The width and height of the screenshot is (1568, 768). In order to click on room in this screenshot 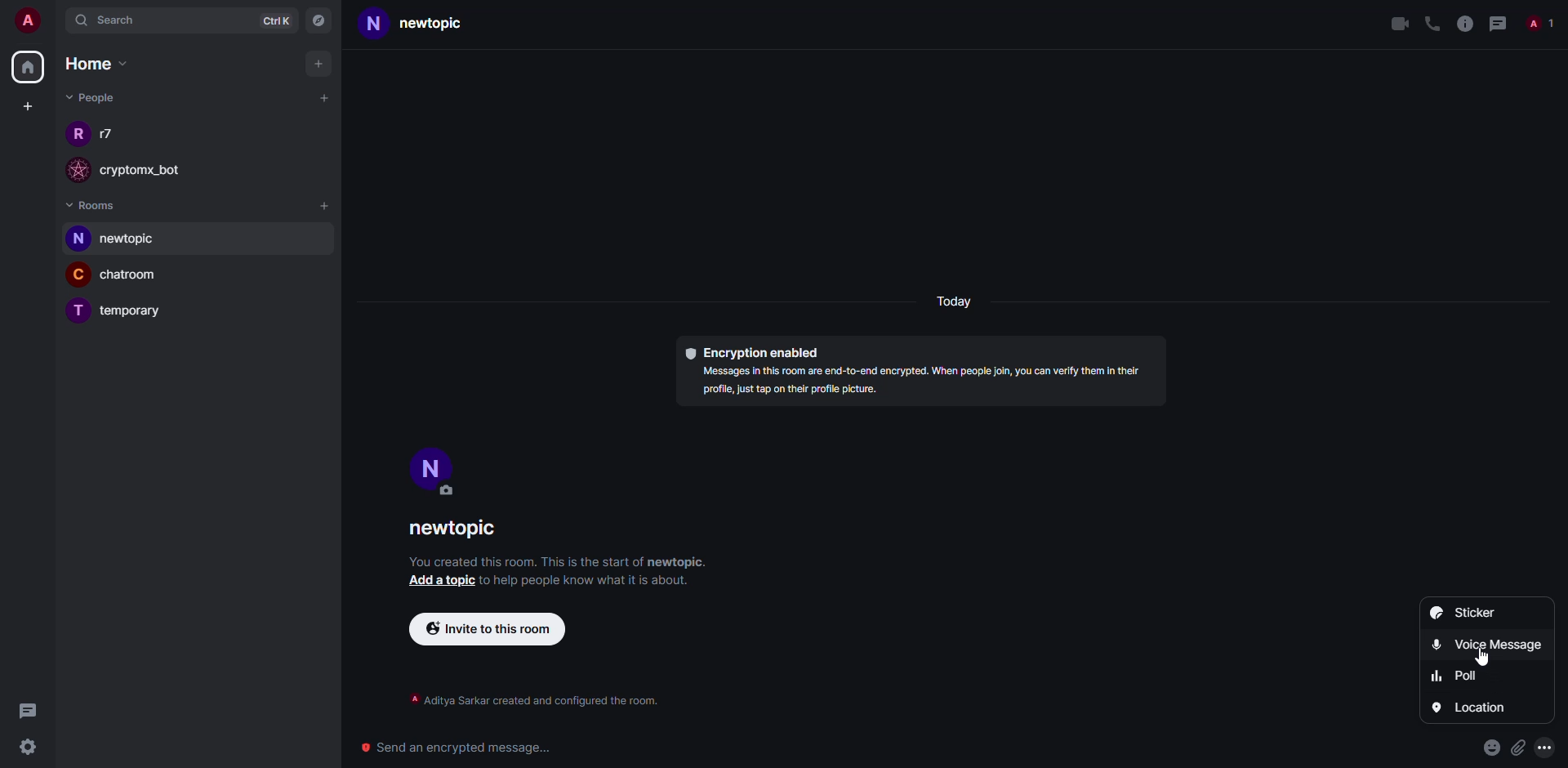, I will do `click(445, 25)`.